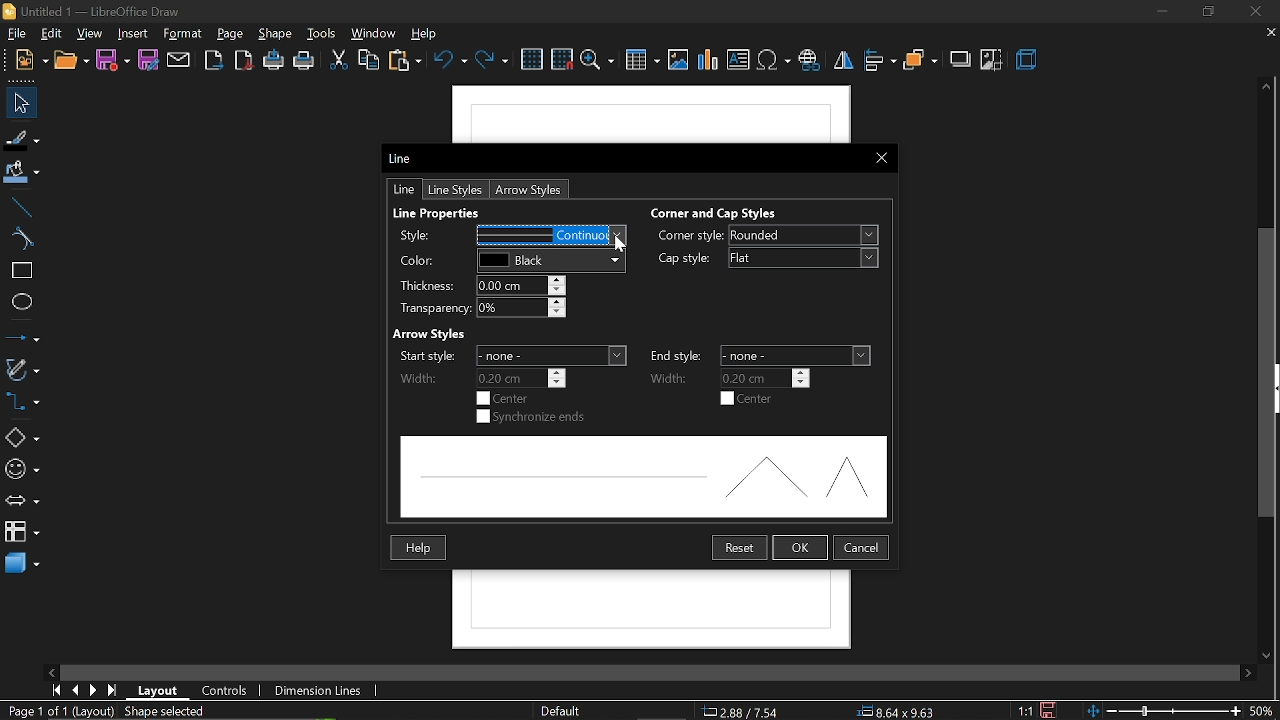  I want to click on shape selected, so click(164, 712).